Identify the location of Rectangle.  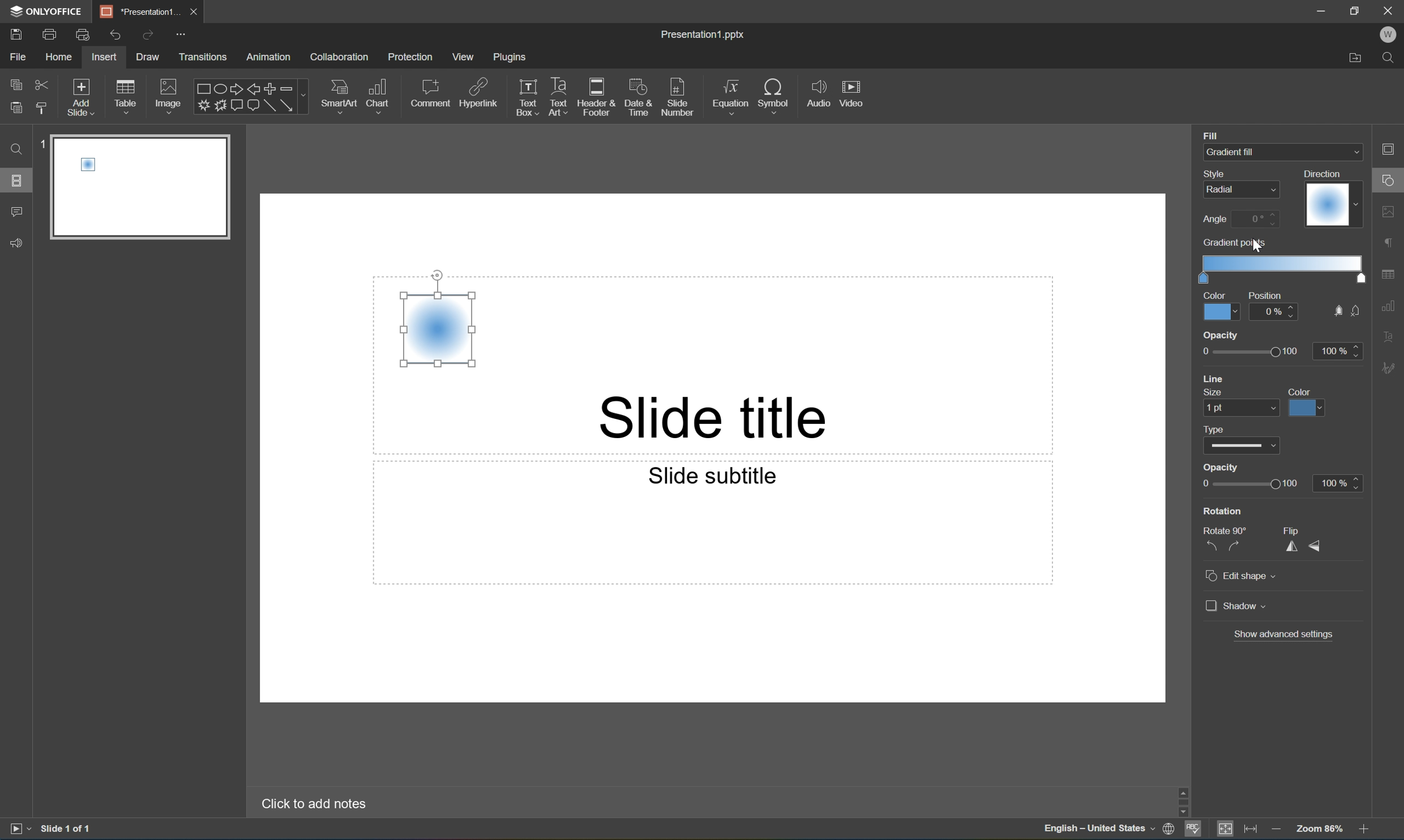
(269, 106).